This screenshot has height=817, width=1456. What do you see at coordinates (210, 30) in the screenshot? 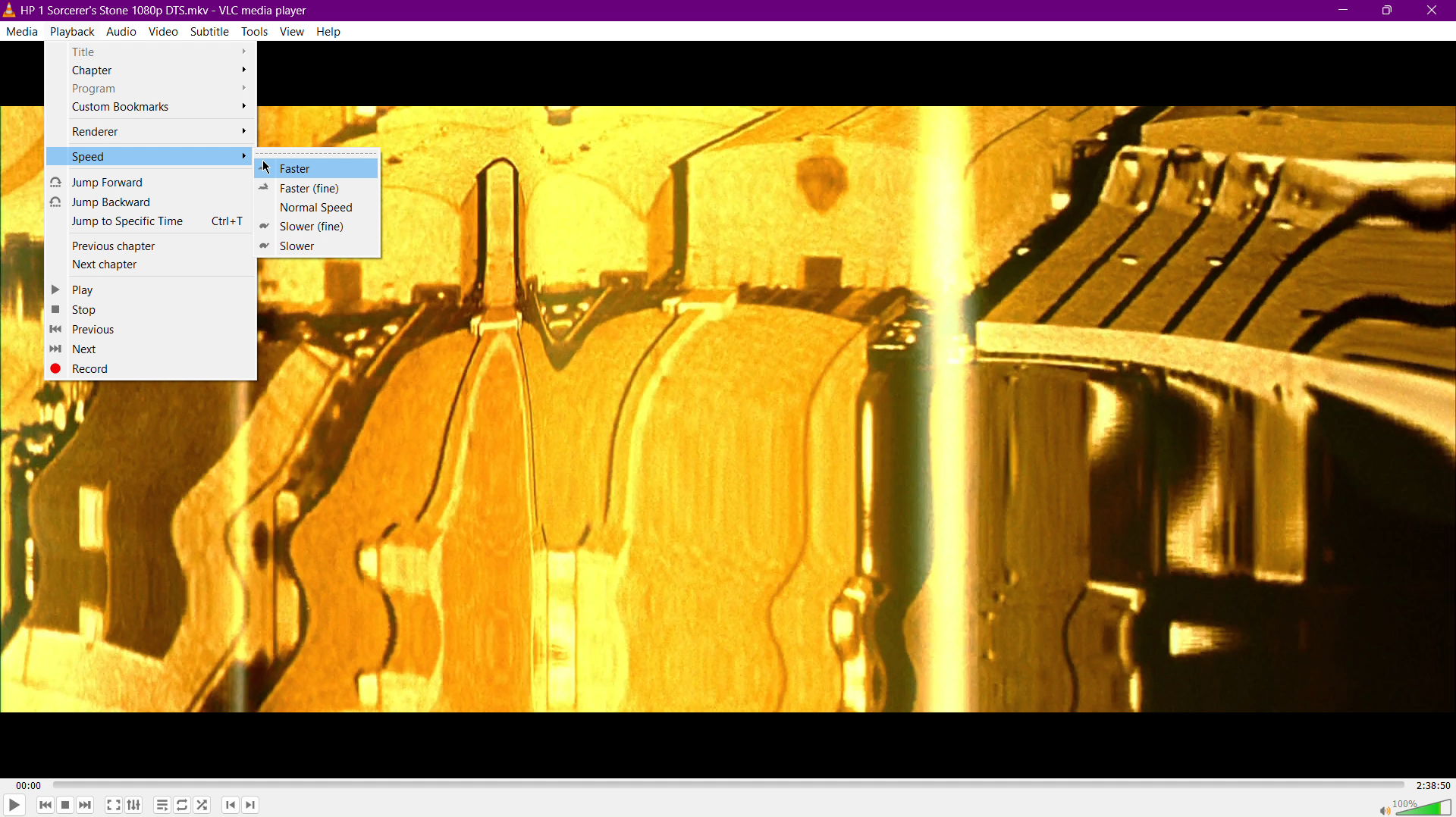
I see `Subtitle` at bounding box center [210, 30].